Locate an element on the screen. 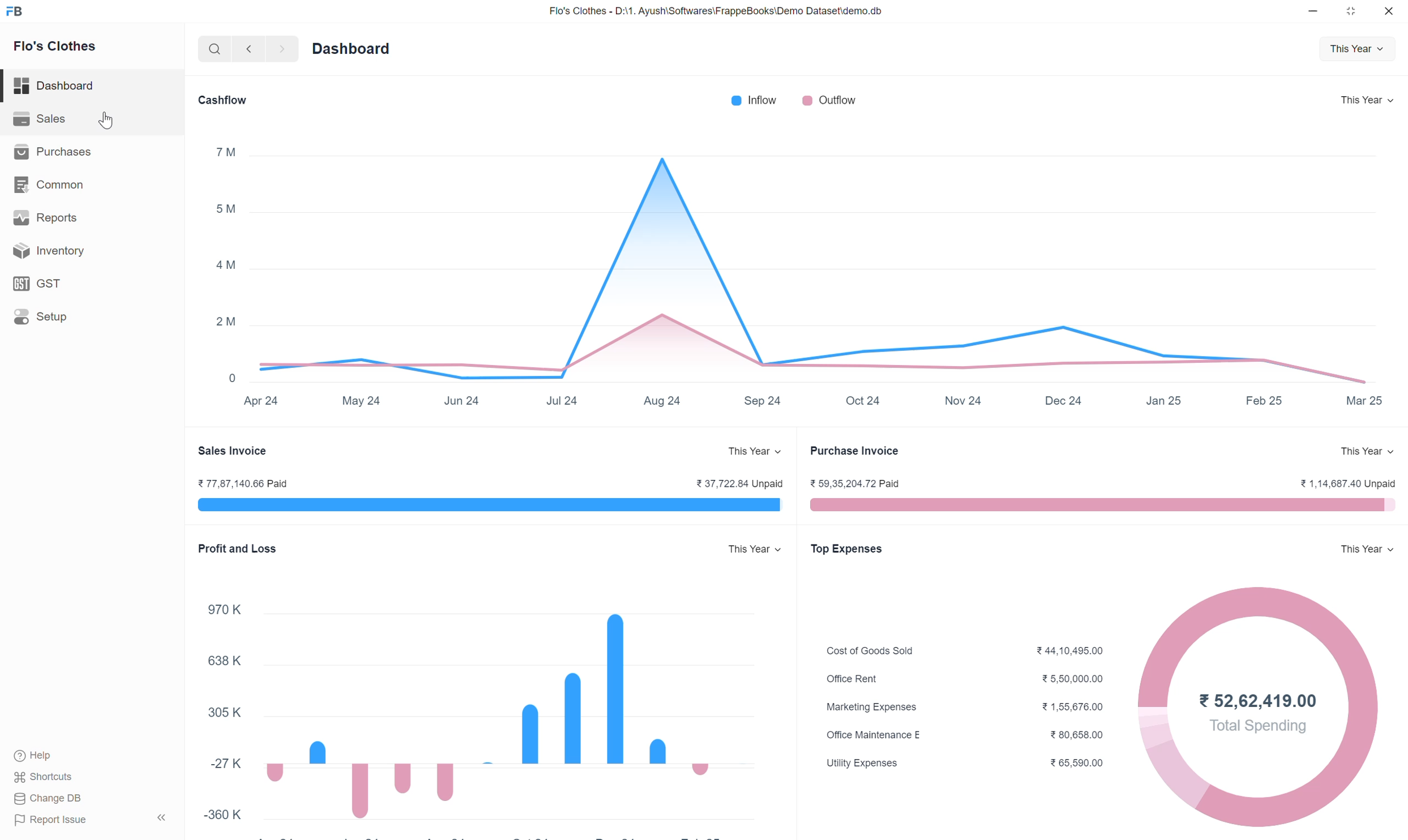 Image resolution: width=1408 pixels, height=840 pixels. Inventory  is located at coordinates (83, 251).